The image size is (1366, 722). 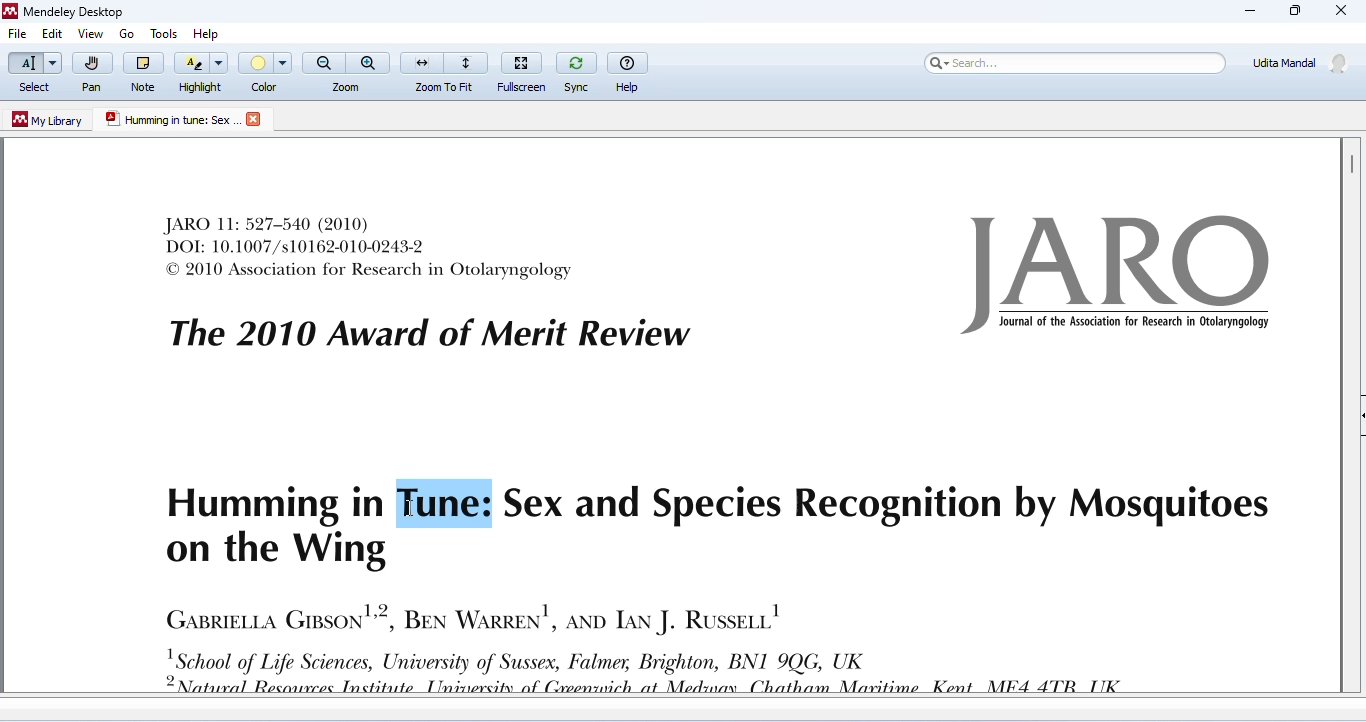 I want to click on “School of Life Sciences, University of Sussex, Falmer, Brighton, BN1 9QG, UK, so click(x=662, y=671).